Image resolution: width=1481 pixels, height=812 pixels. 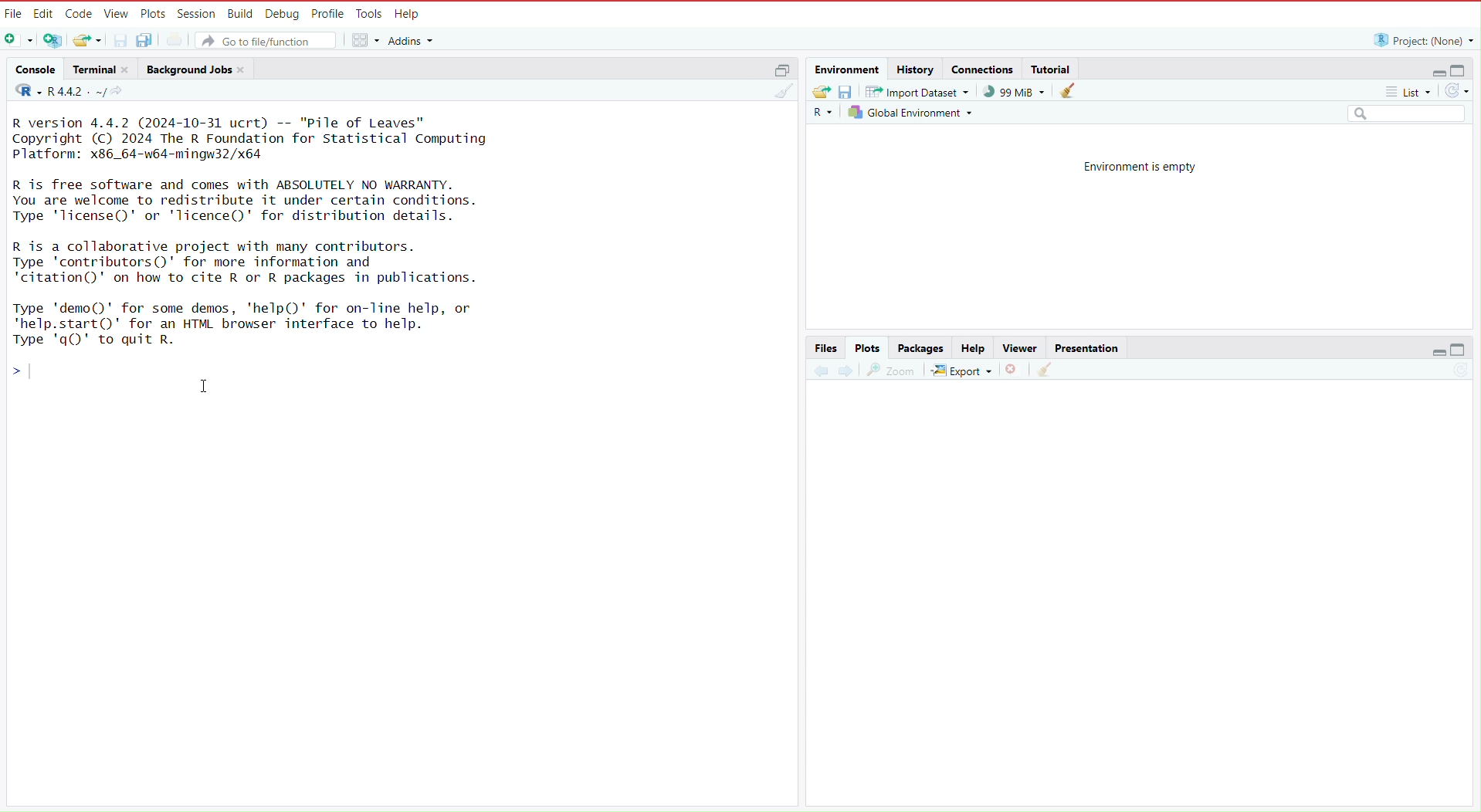 I want to click on plots, so click(x=154, y=12).